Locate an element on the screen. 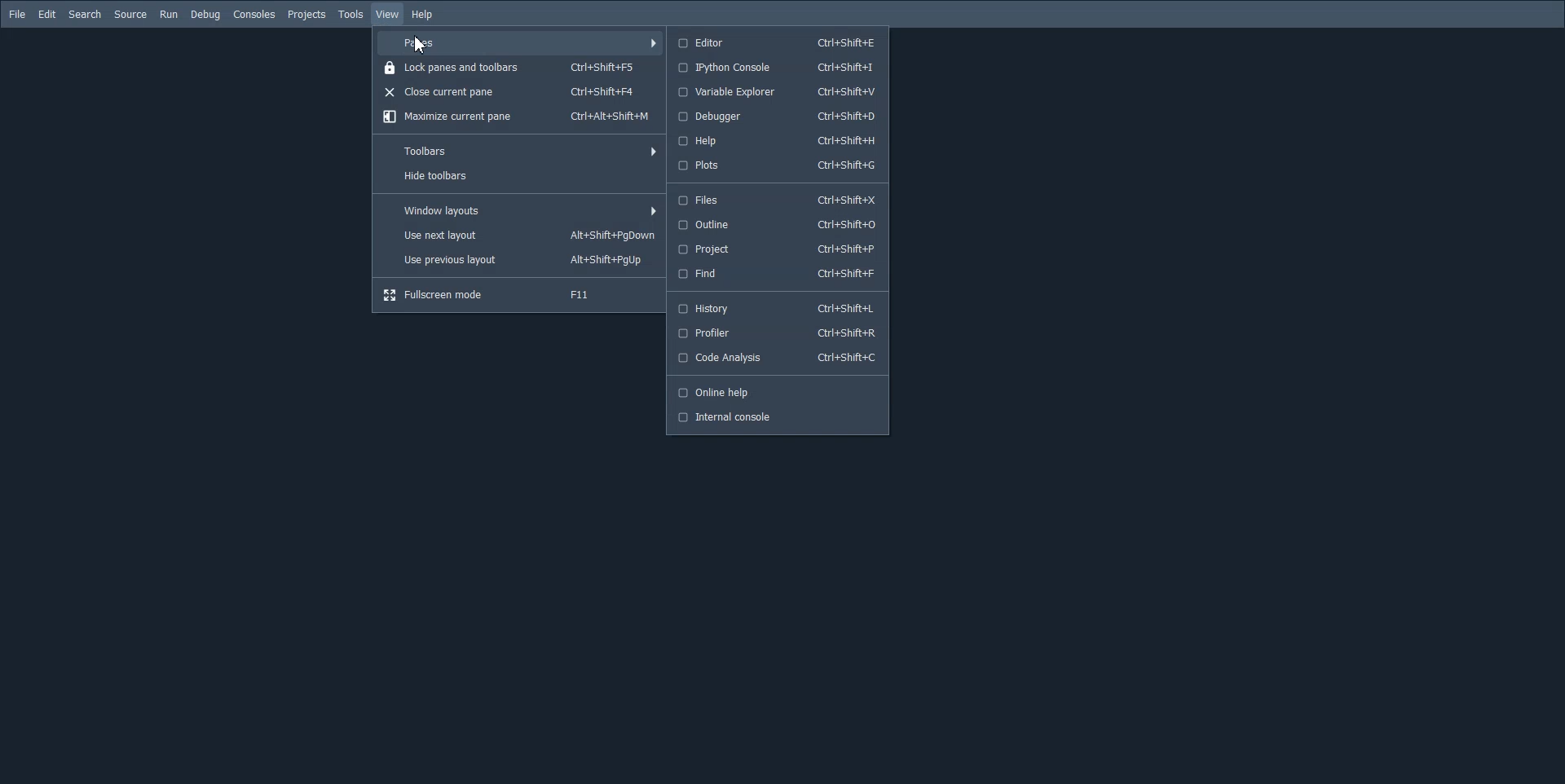 This screenshot has width=1565, height=784. Debug is located at coordinates (205, 15).